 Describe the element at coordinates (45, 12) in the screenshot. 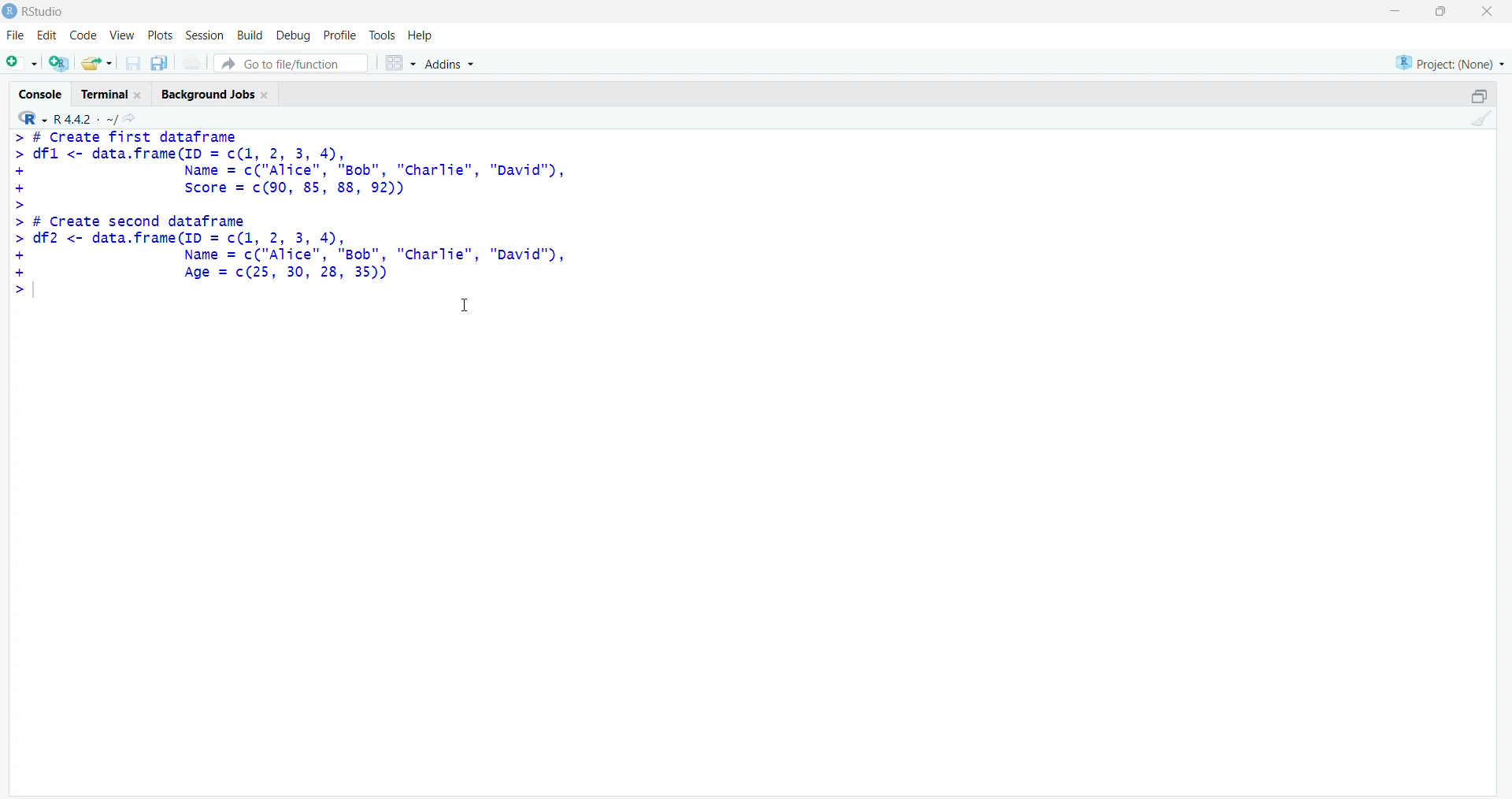

I see `RStudio` at that location.